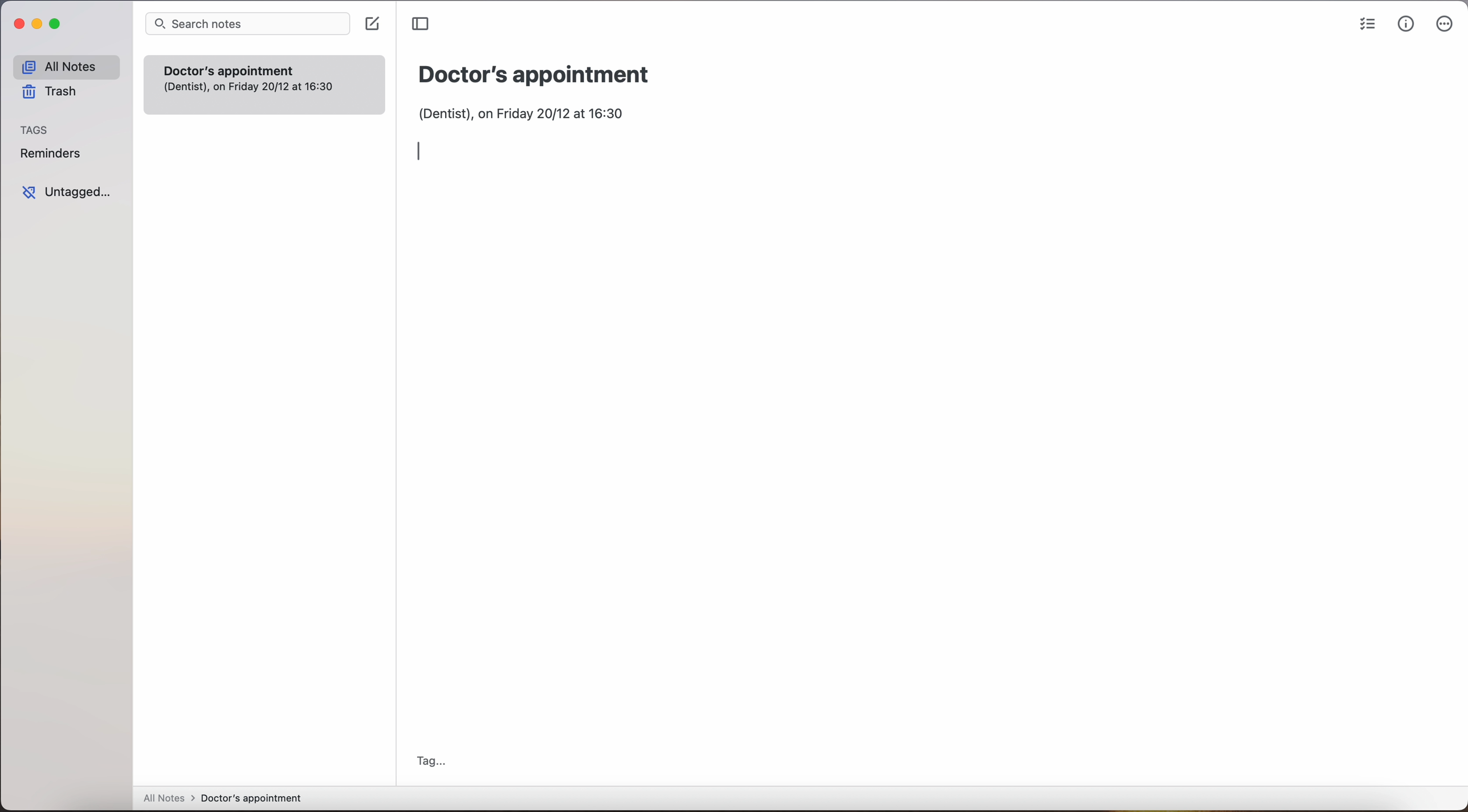  I want to click on search bar, so click(248, 23).